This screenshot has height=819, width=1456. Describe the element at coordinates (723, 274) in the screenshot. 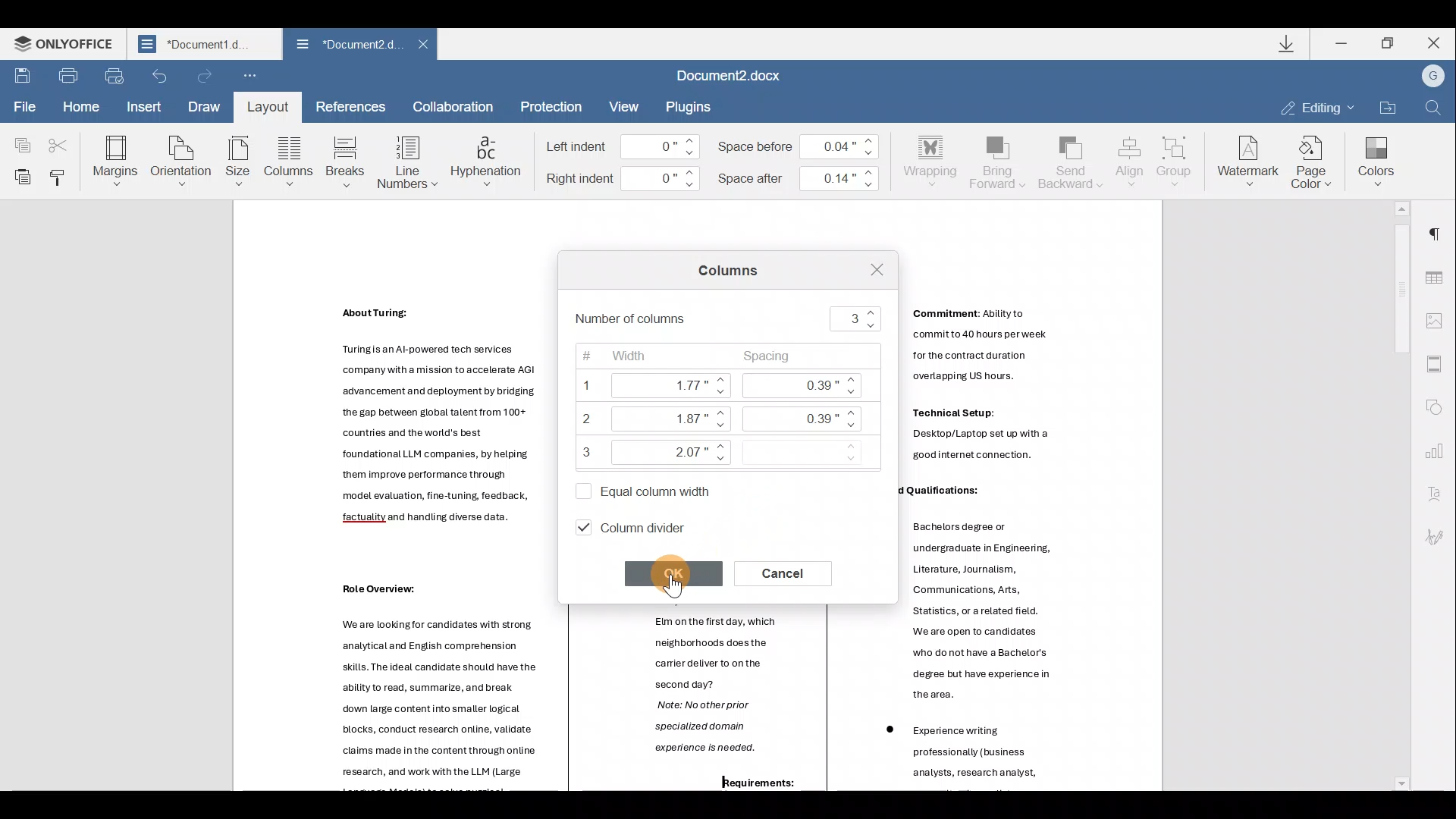

I see `Columns` at that location.